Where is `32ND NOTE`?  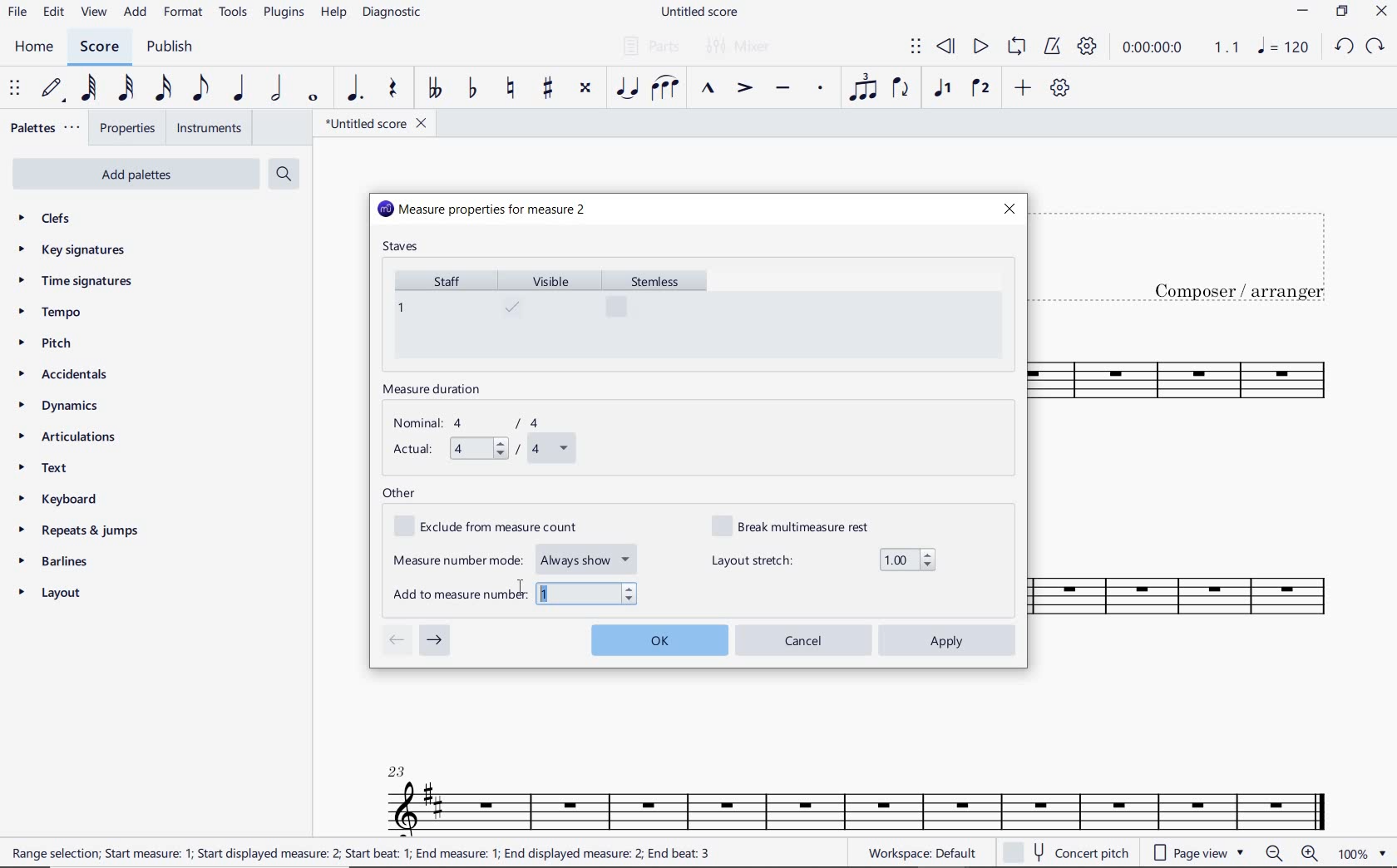 32ND NOTE is located at coordinates (126, 89).